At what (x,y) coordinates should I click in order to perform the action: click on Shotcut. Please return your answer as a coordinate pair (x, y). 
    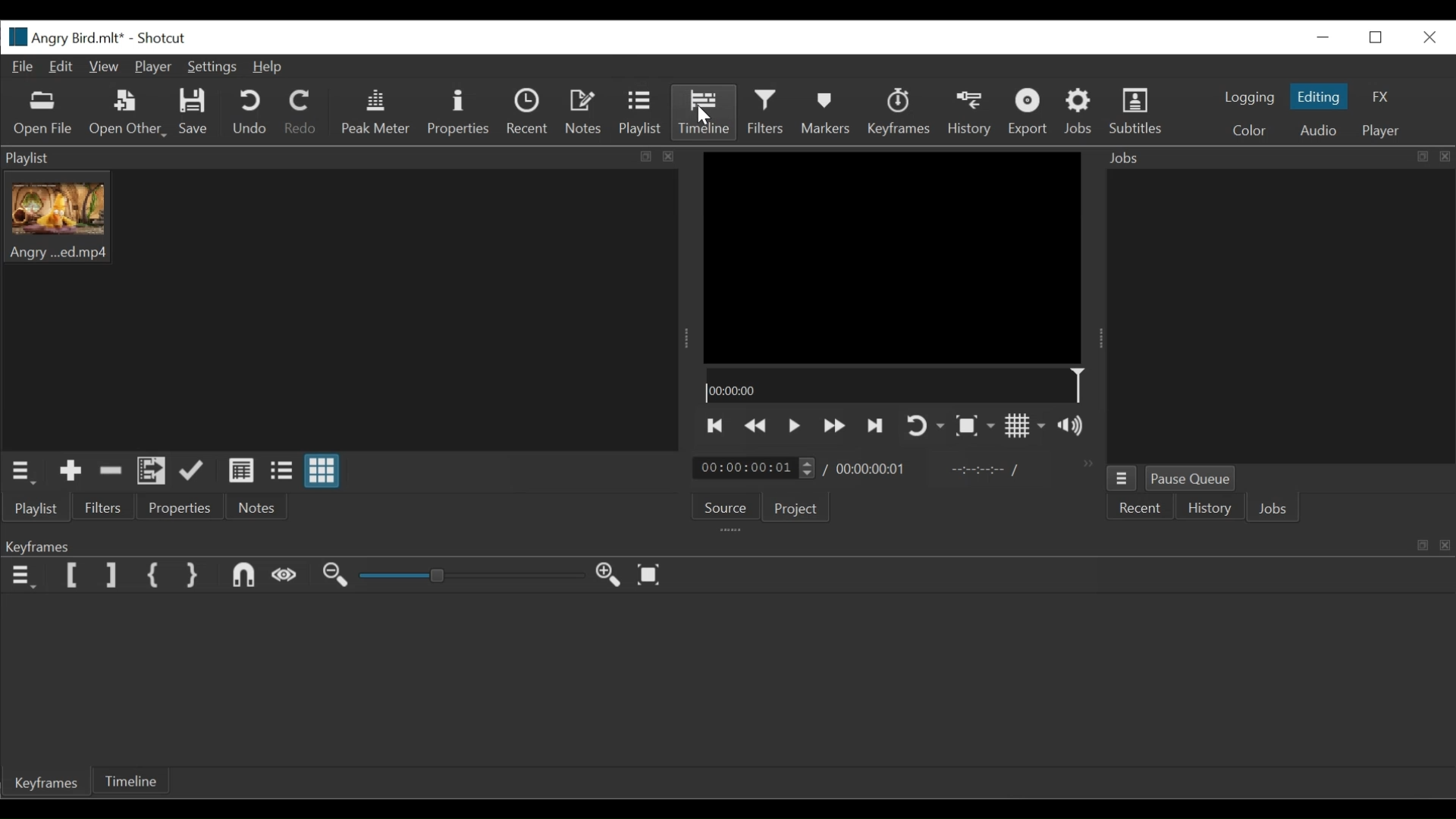
    Looking at the image, I should click on (162, 39).